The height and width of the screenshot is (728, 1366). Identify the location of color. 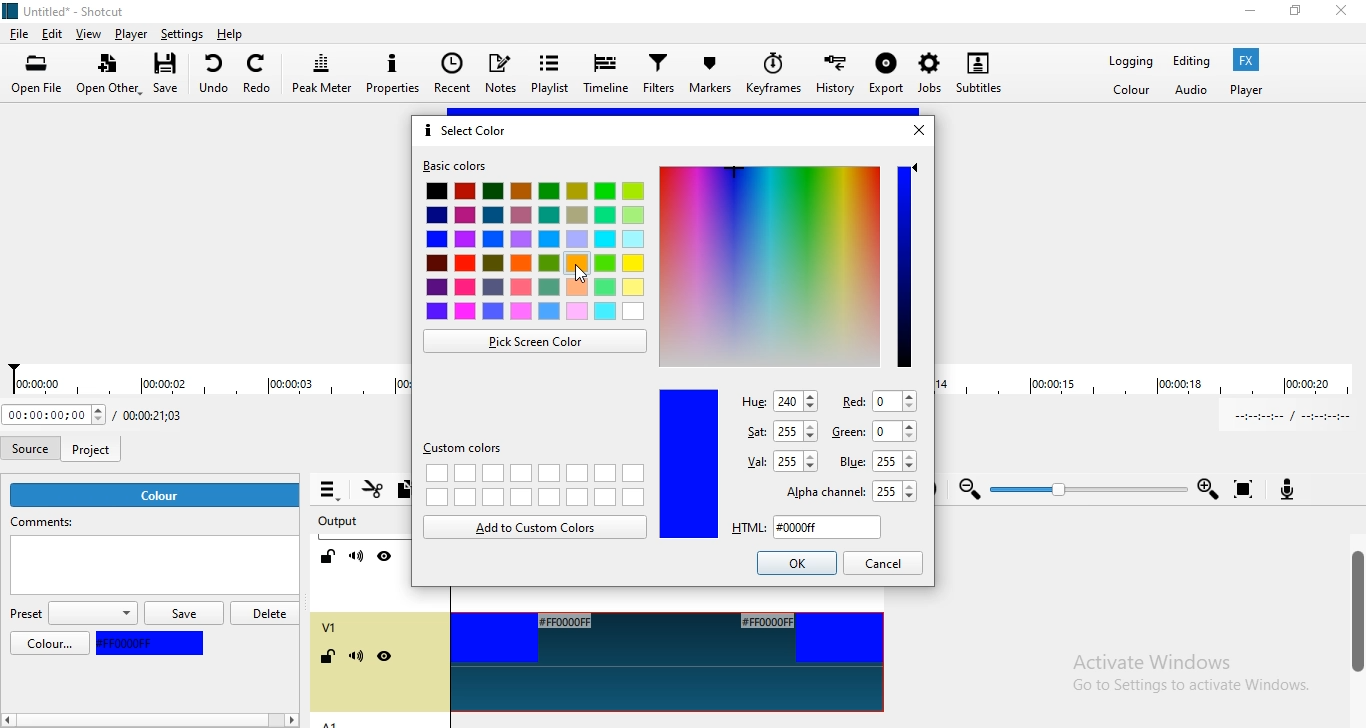
(157, 495).